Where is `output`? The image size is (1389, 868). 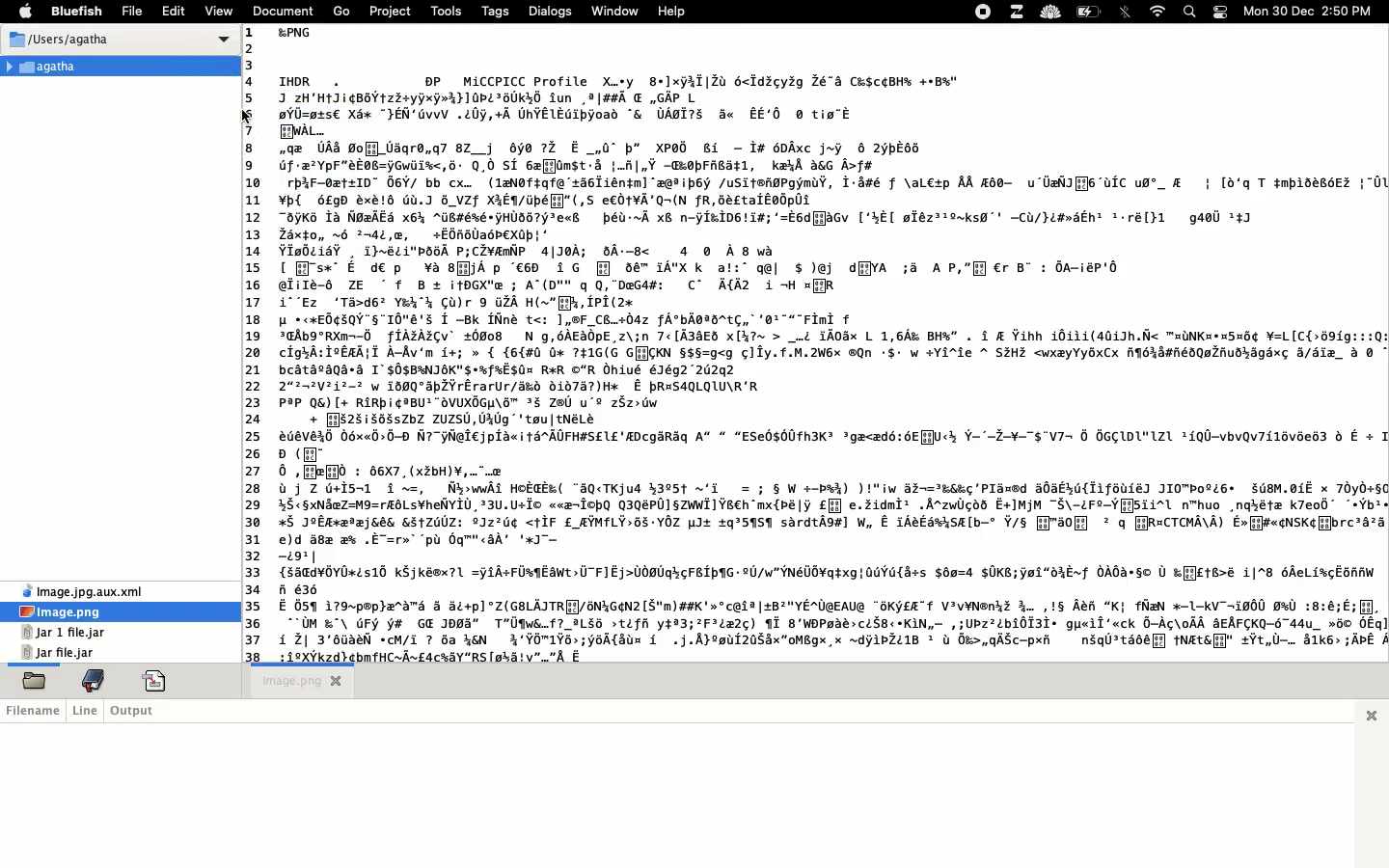 output is located at coordinates (137, 710).